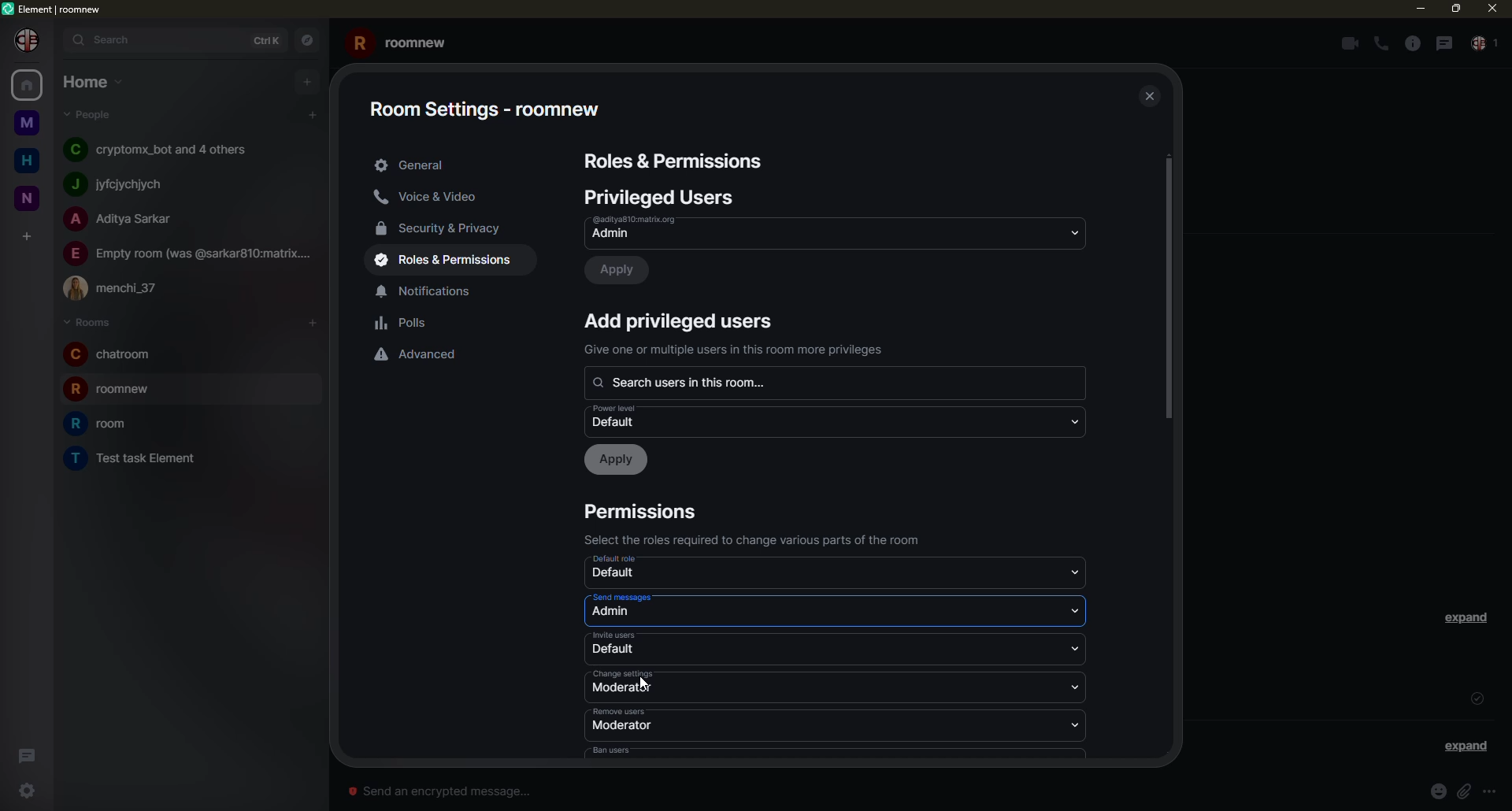 This screenshot has height=811, width=1512. I want to click on cursor, so click(642, 681).